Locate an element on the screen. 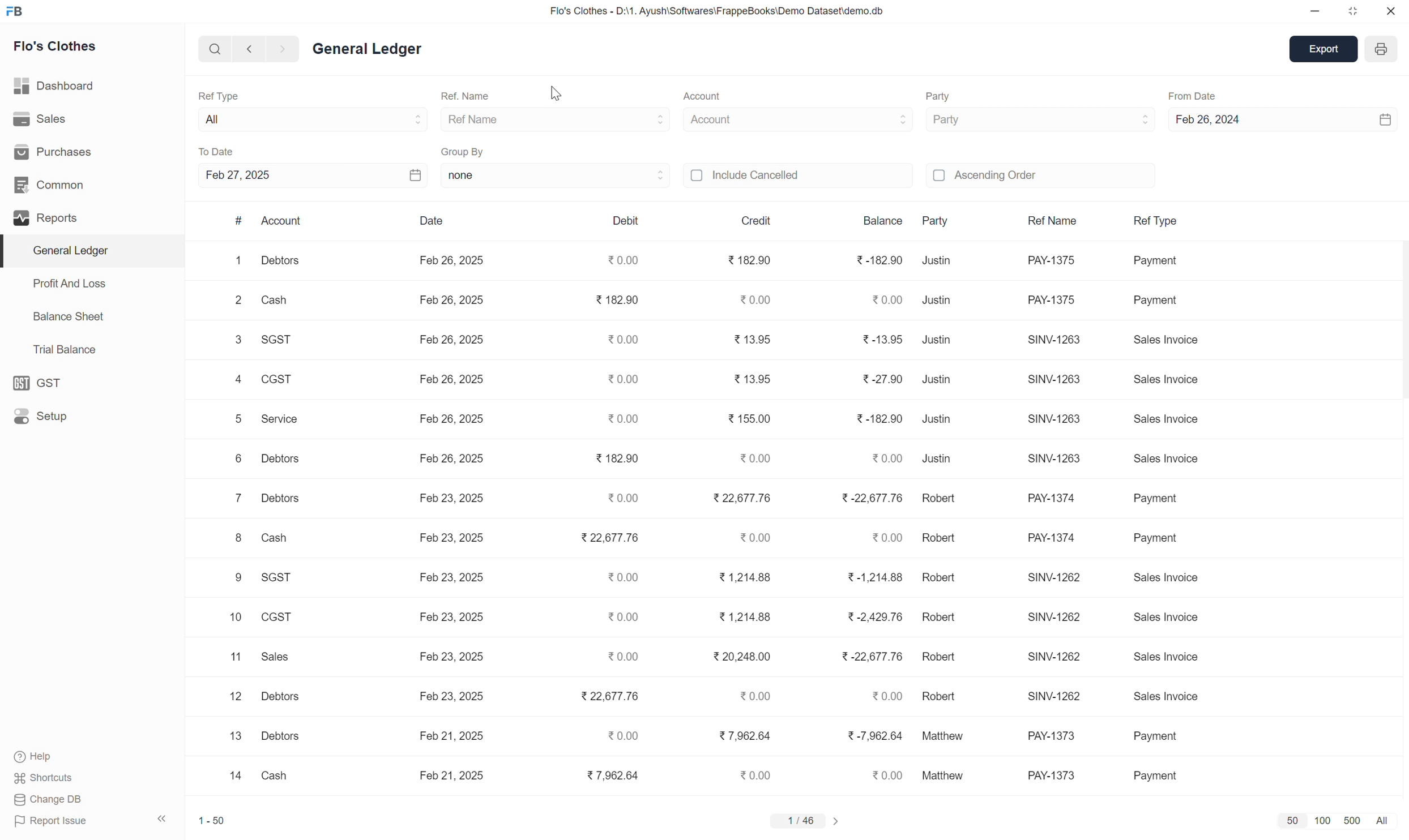 The width and height of the screenshot is (1409, 840). general ledger is located at coordinates (366, 48).